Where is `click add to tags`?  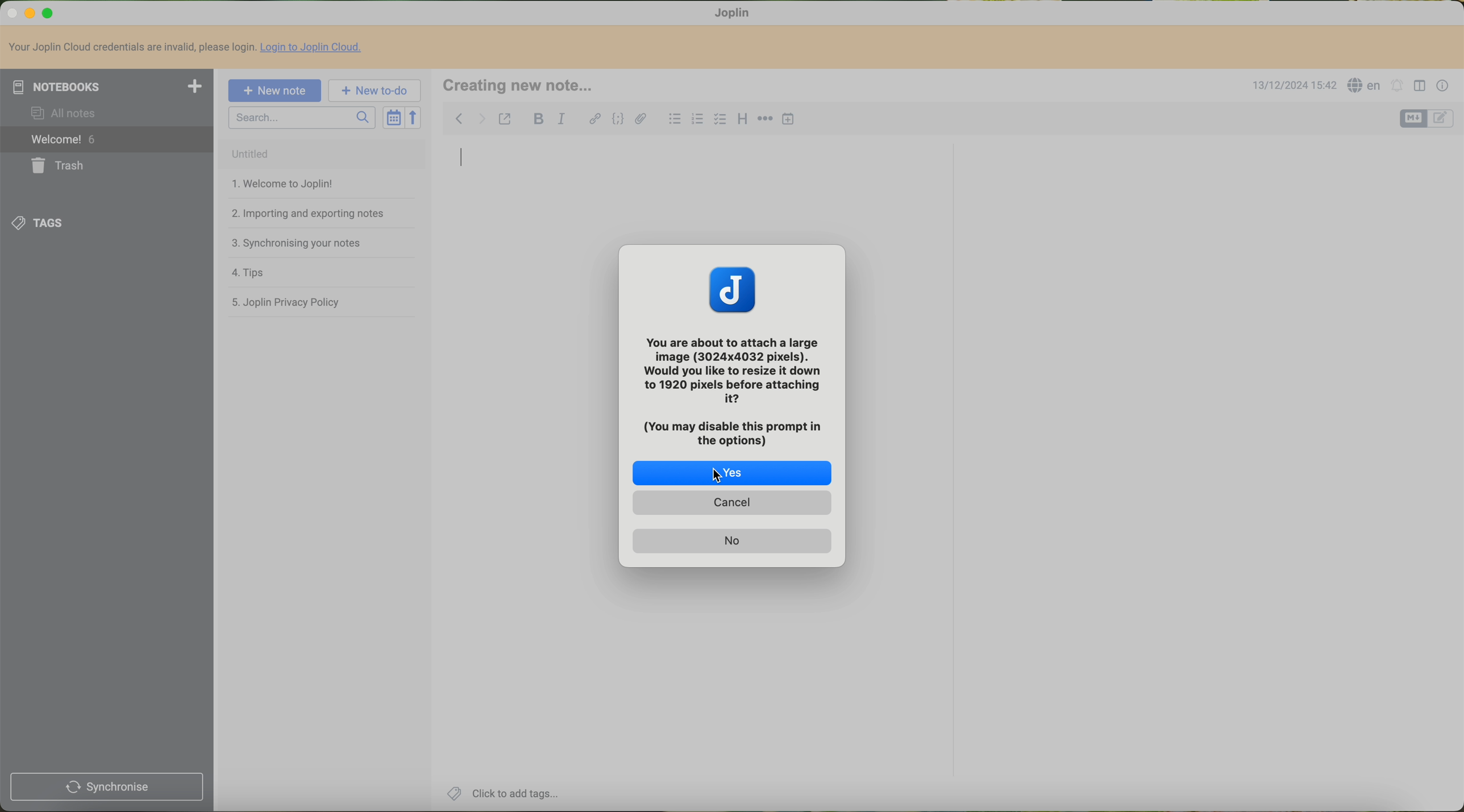 click add to tags is located at coordinates (507, 794).